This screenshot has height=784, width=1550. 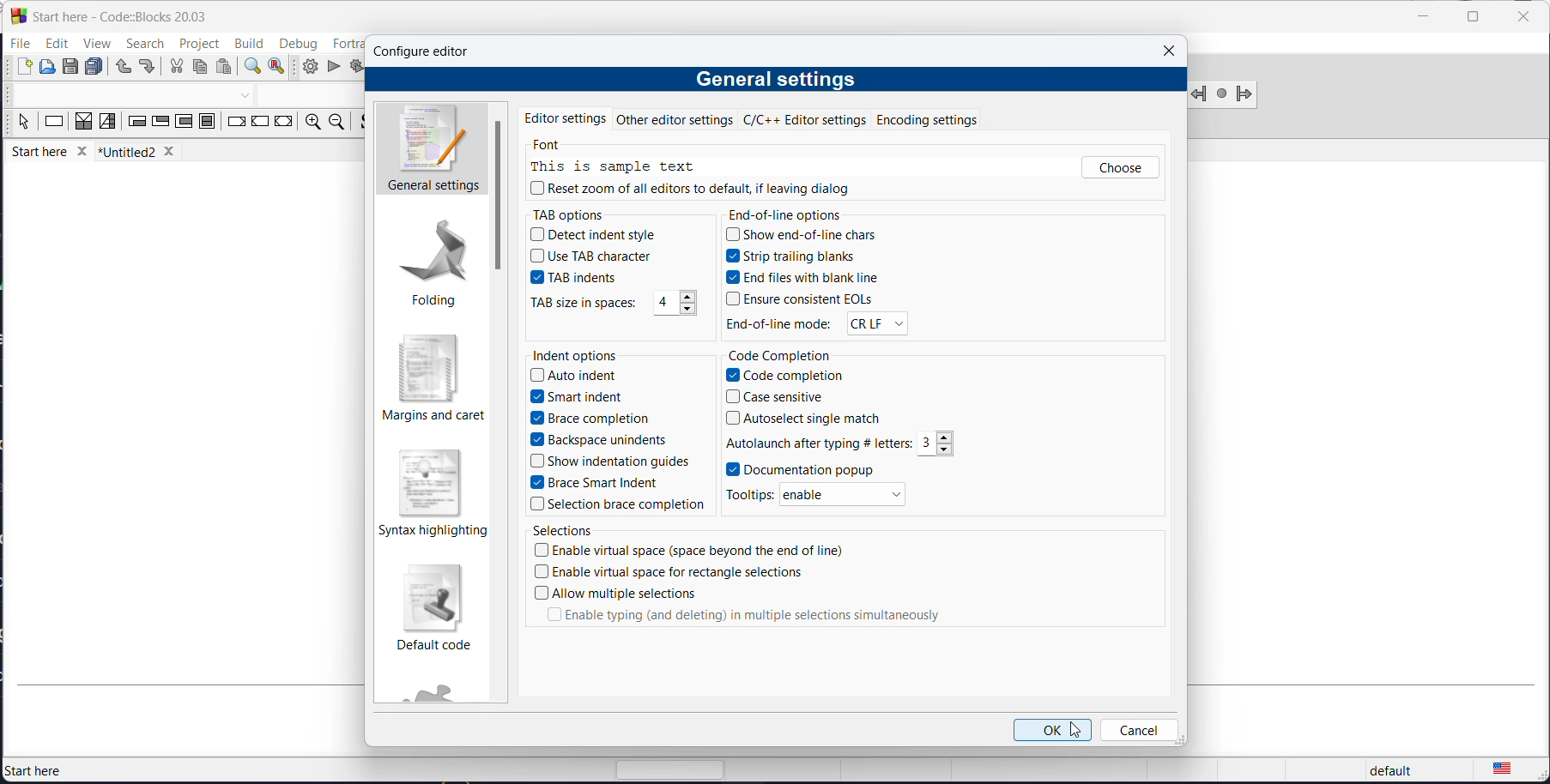 What do you see at coordinates (94, 68) in the screenshot?
I see `save all` at bounding box center [94, 68].